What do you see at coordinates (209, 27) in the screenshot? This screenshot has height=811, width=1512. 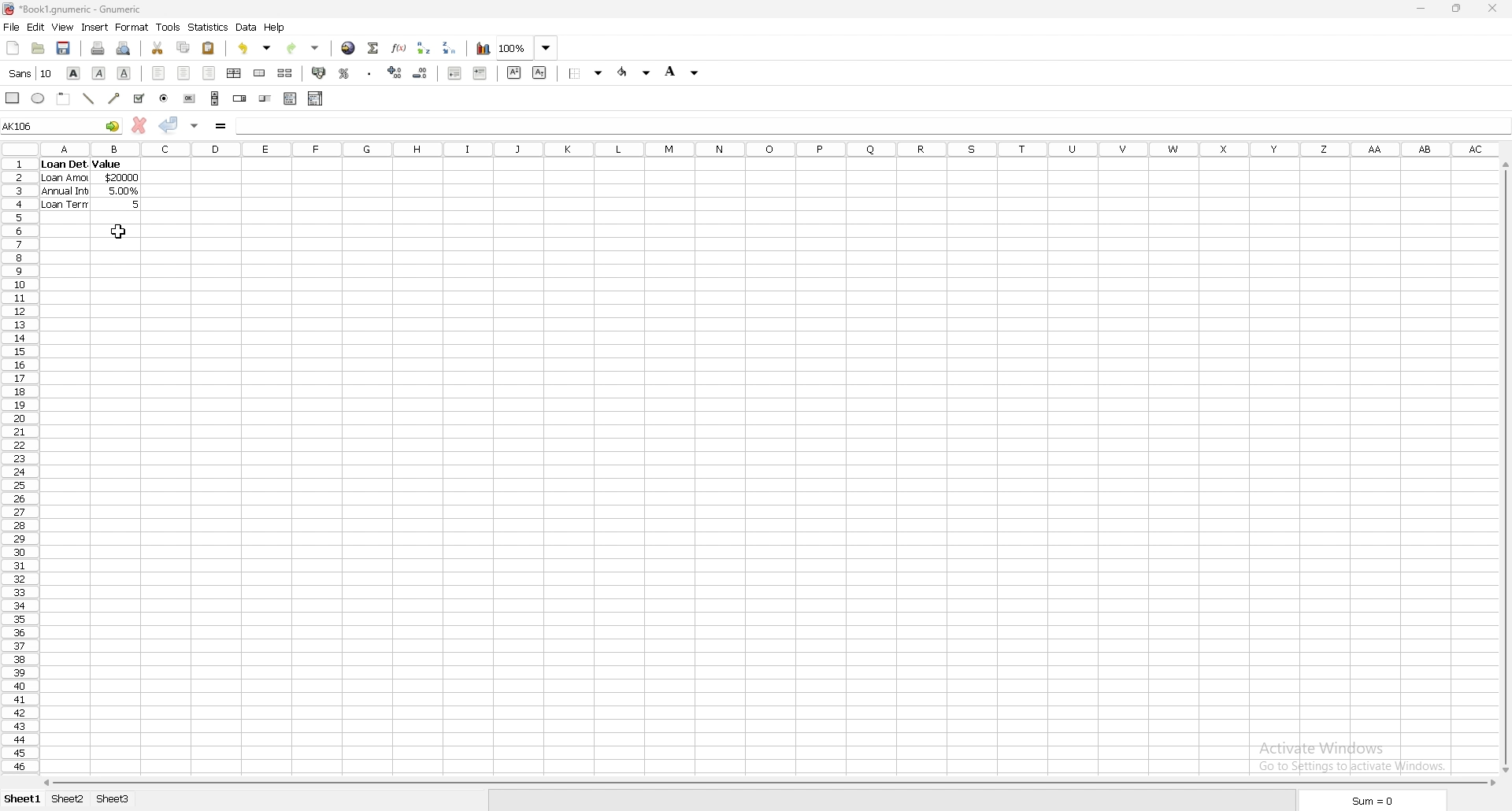 I see `statistics` at bounding box center [209, 27].